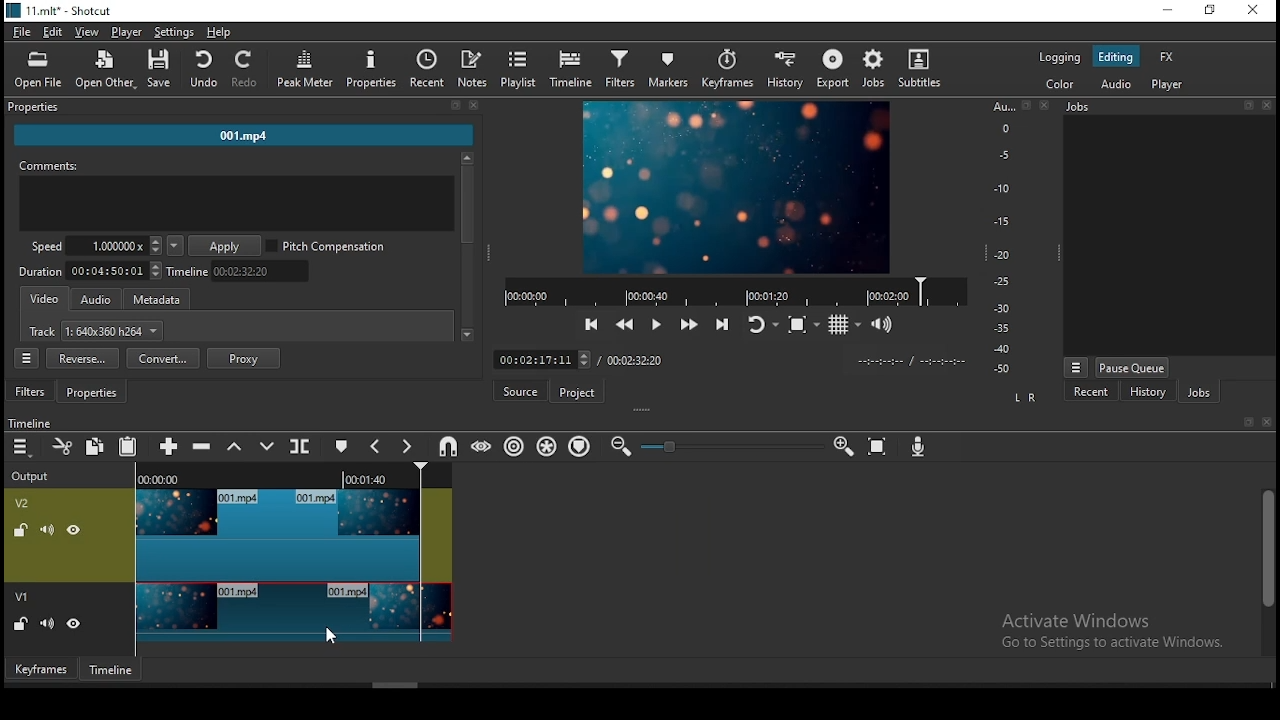 Image resolution: width=1280 pixels, height=720 pixels. What do you see at coordinates (20, 31) in the screenshot?
I see `file` at bounding box center [20, 31].